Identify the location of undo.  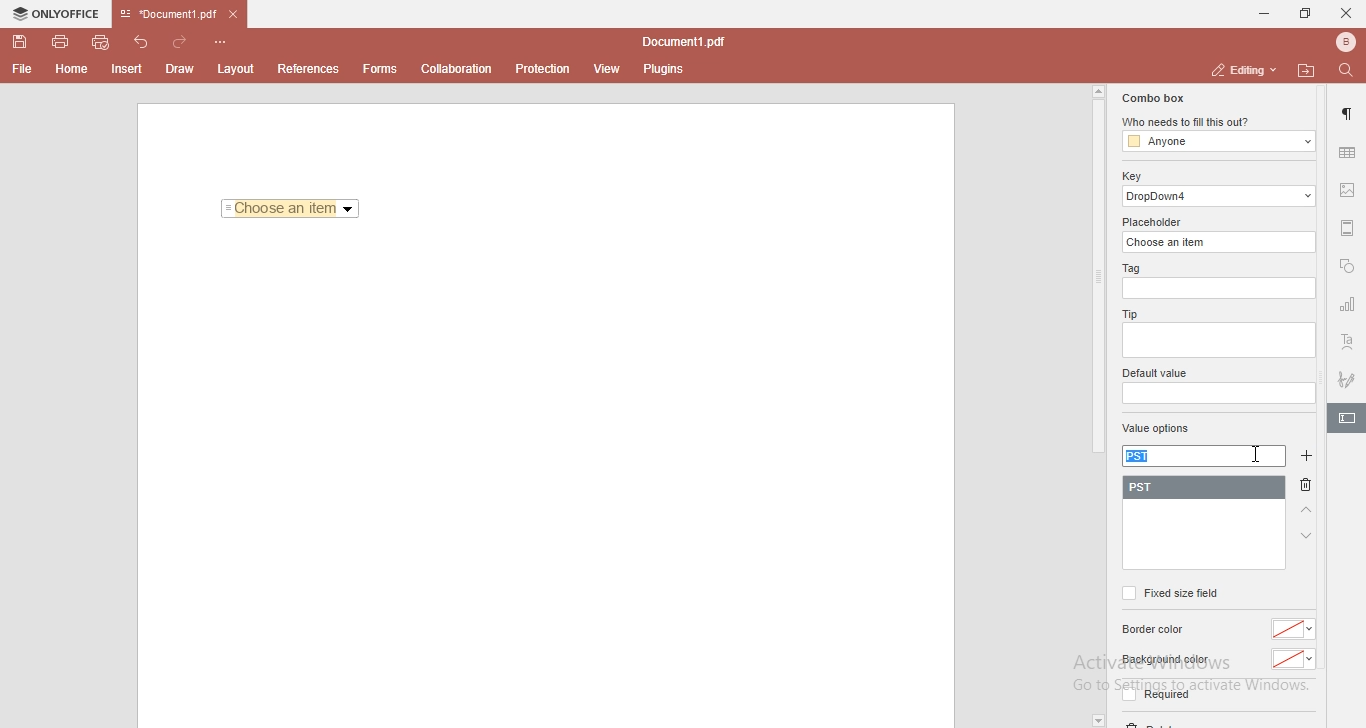
(144, 40).